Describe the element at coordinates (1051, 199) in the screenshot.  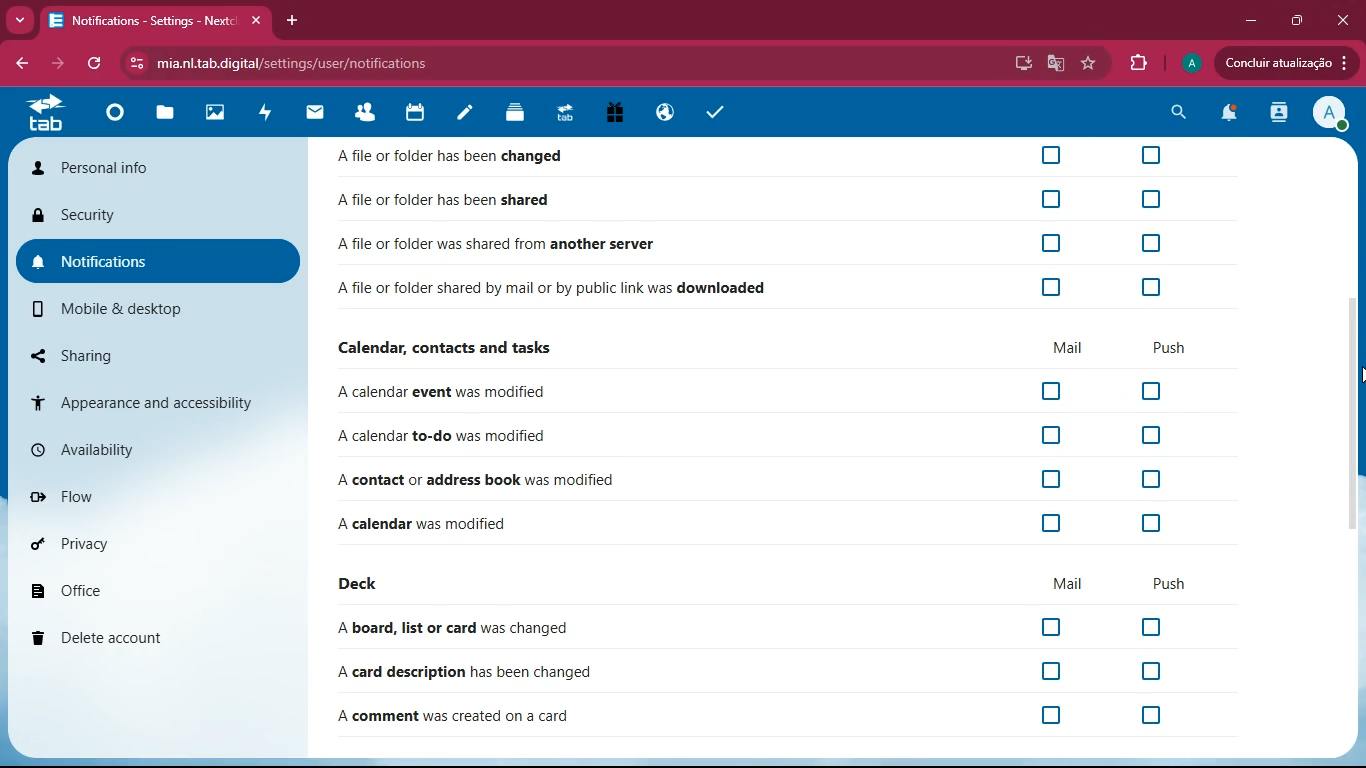
I see `off` at that location.